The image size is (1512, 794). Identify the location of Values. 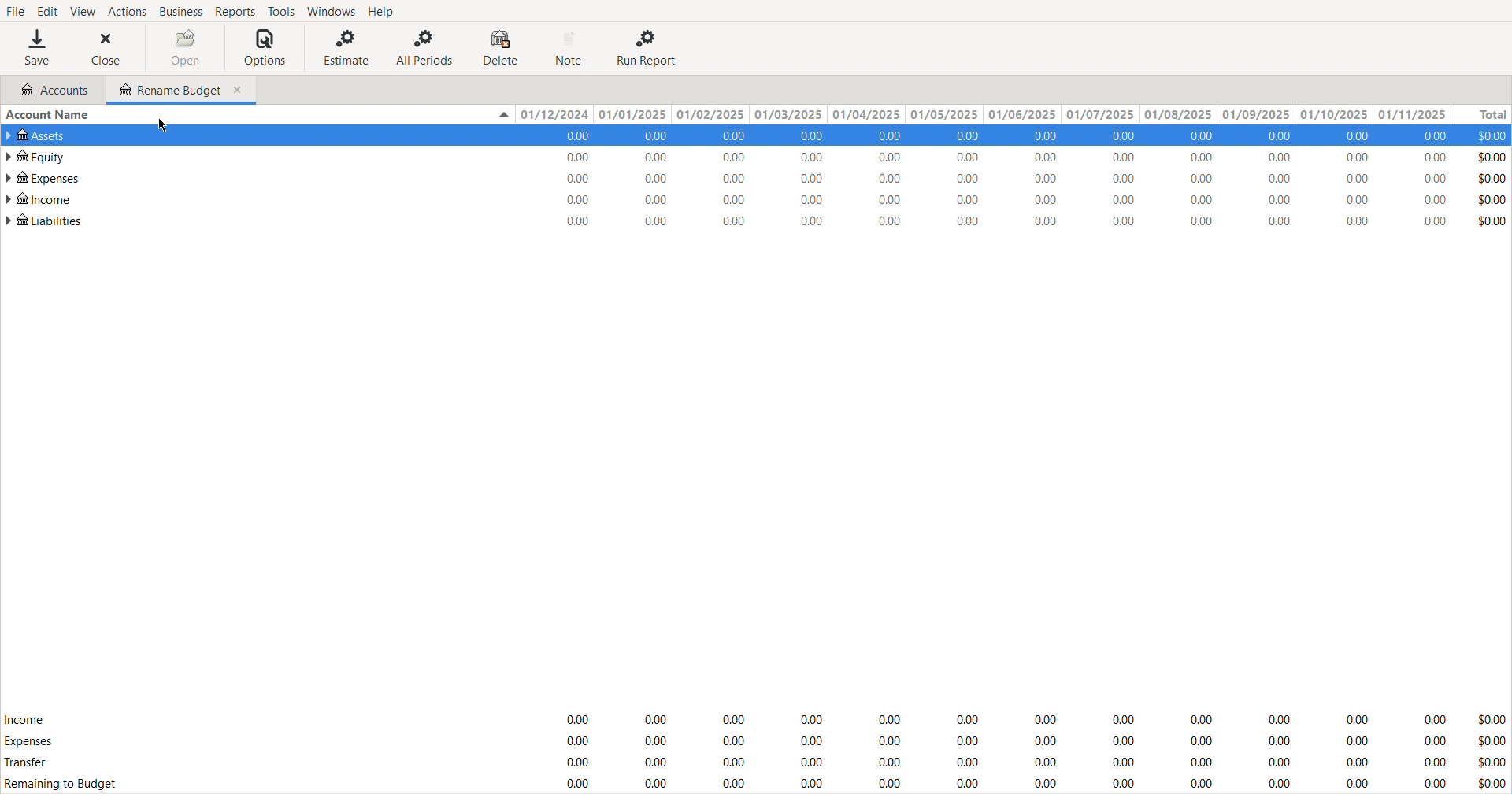
(1031, 179).